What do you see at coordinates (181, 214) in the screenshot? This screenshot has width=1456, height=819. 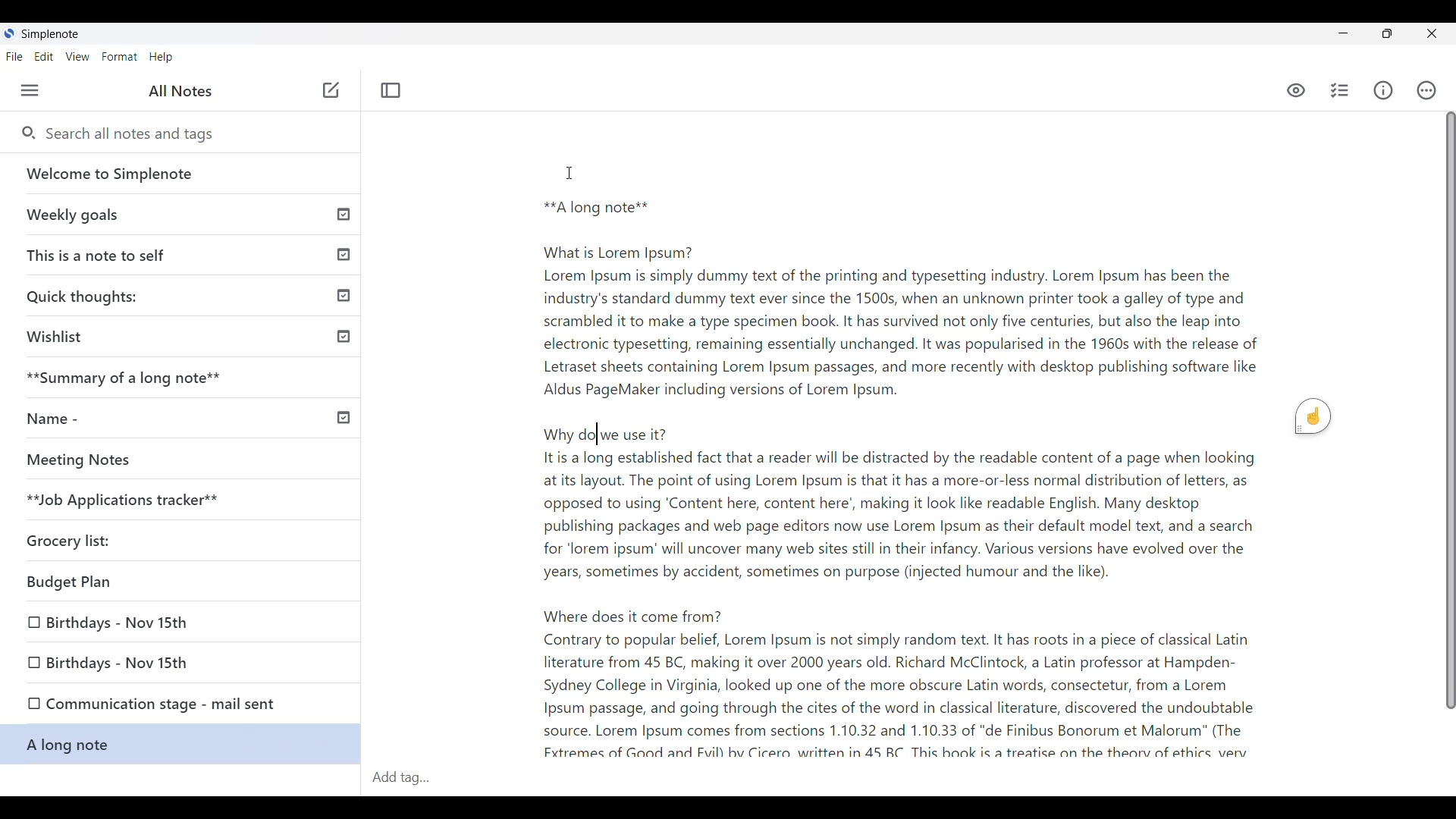 I see `Weekly goals` at bounding box center [181, 214].